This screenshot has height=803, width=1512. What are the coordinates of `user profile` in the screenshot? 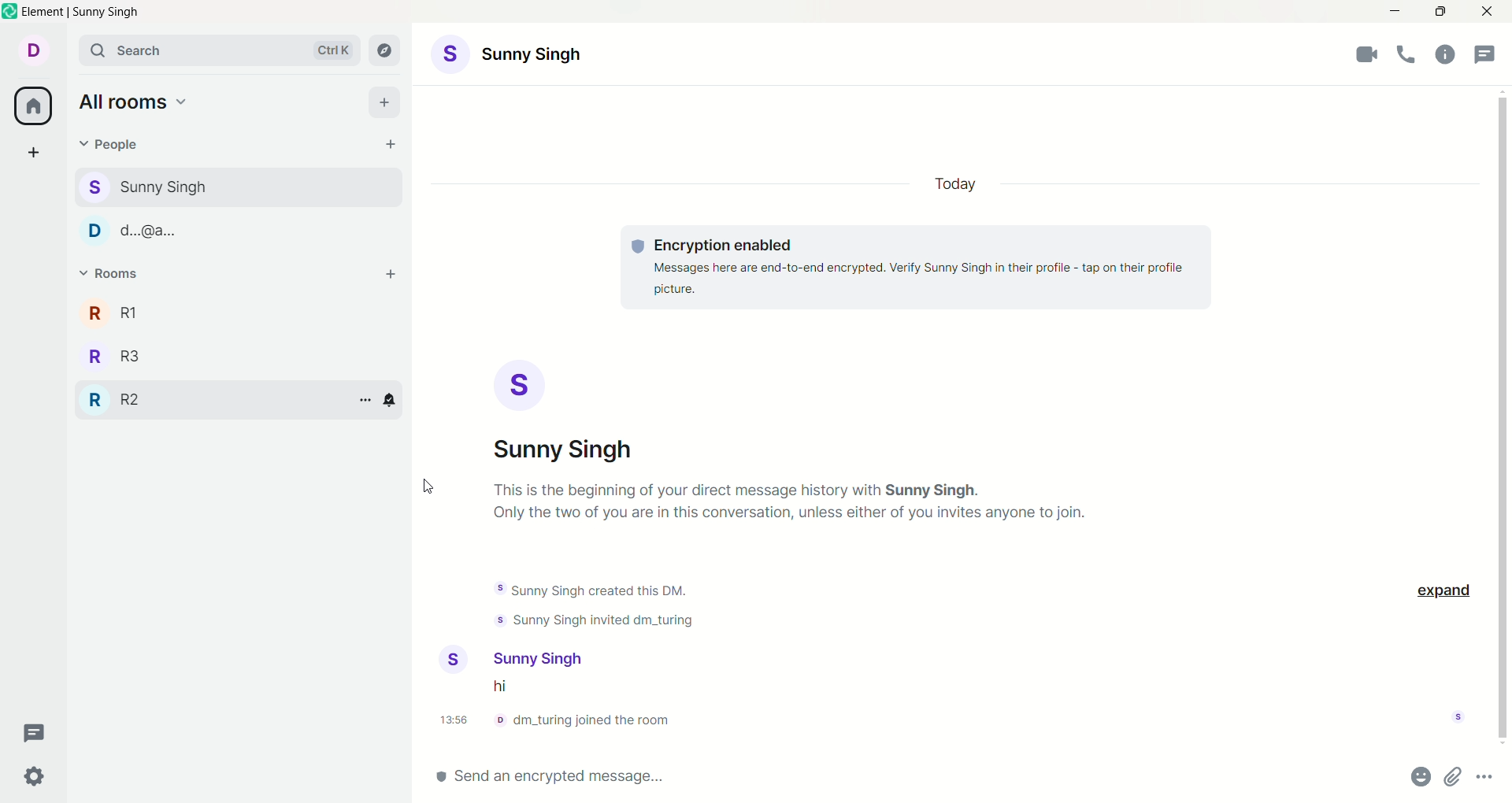 It's located at (457, 659).